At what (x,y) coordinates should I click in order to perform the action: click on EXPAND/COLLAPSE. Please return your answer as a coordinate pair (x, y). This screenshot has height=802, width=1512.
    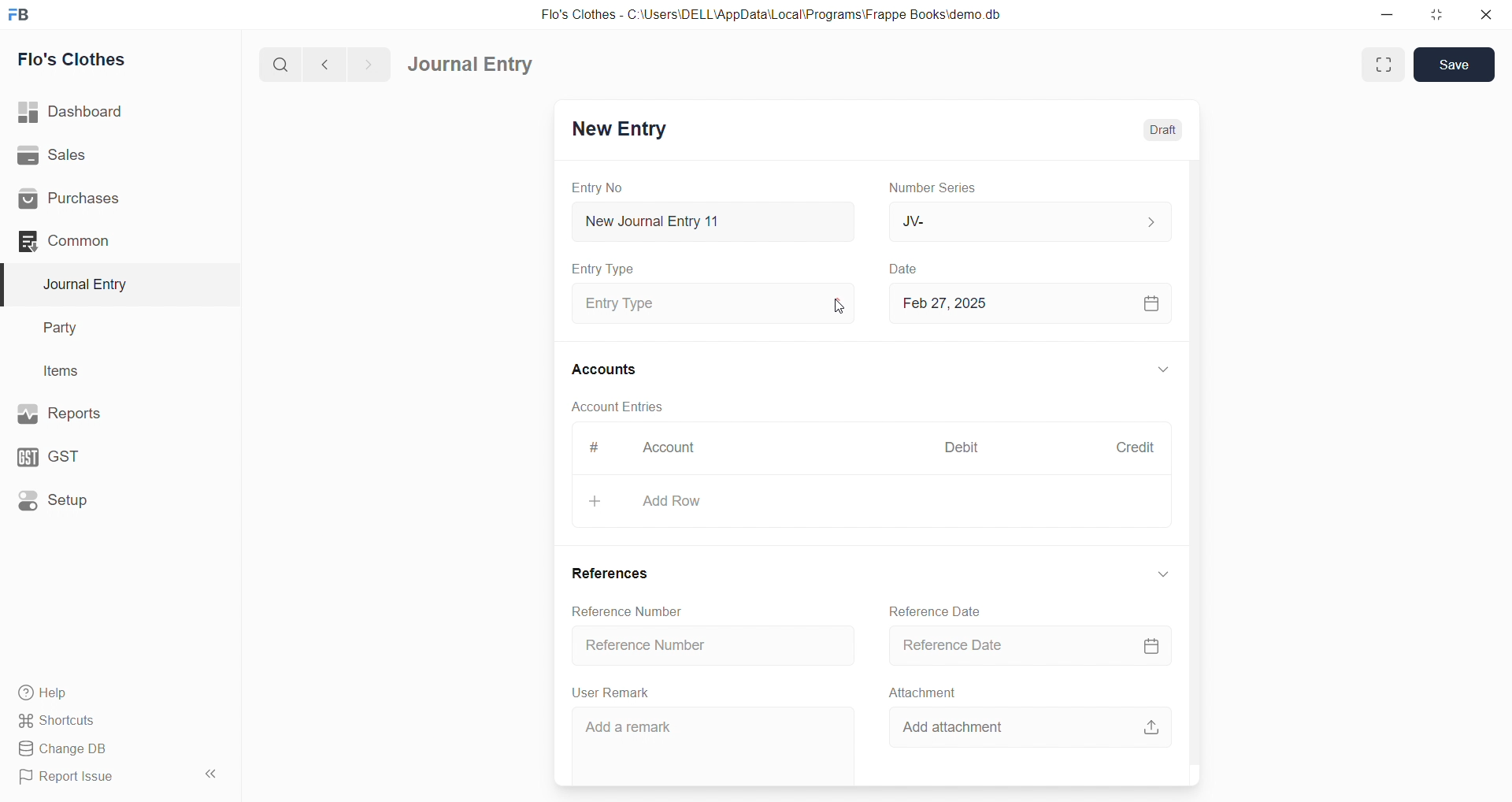
    Looking at the image, I should click on (1162, 369).